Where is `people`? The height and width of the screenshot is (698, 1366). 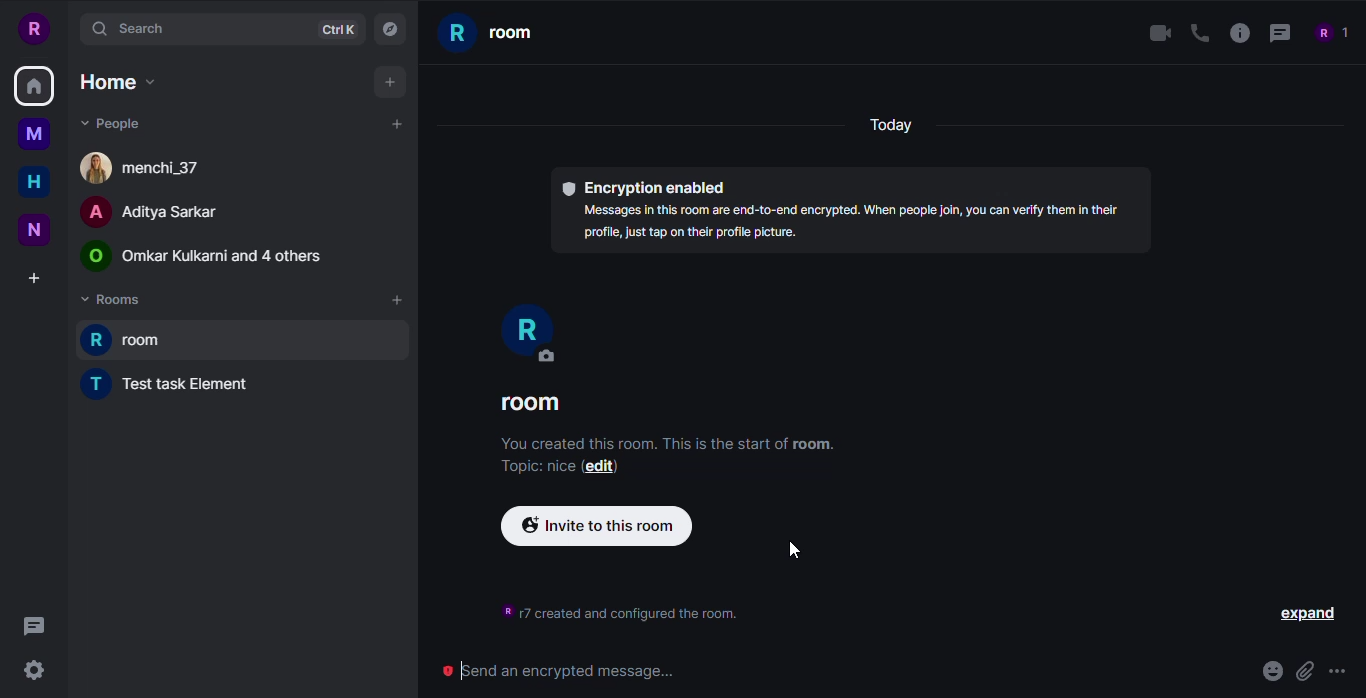 people is located at coordinates (112, 122).